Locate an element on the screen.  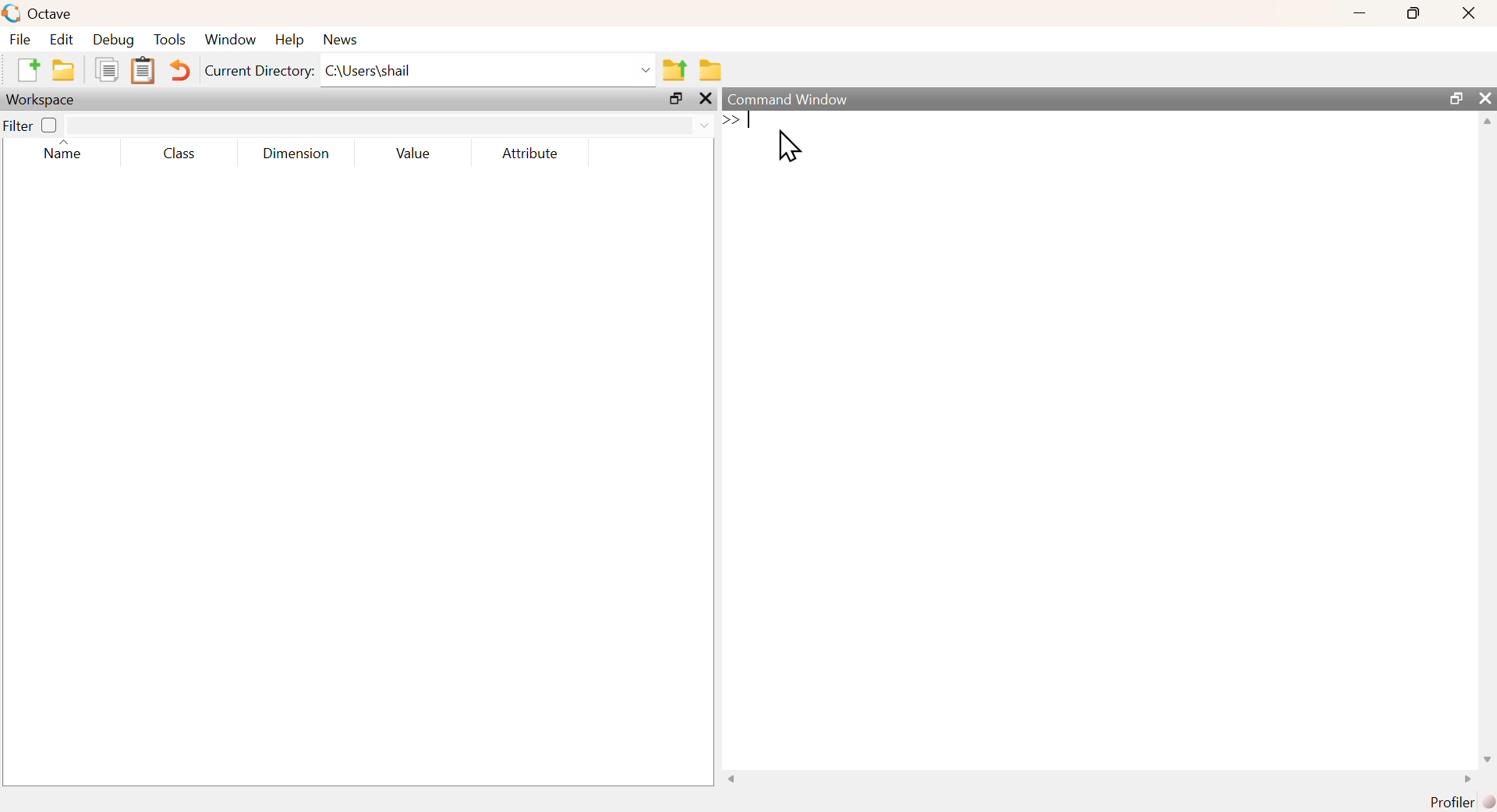
close is located at coordinates (704, 98).